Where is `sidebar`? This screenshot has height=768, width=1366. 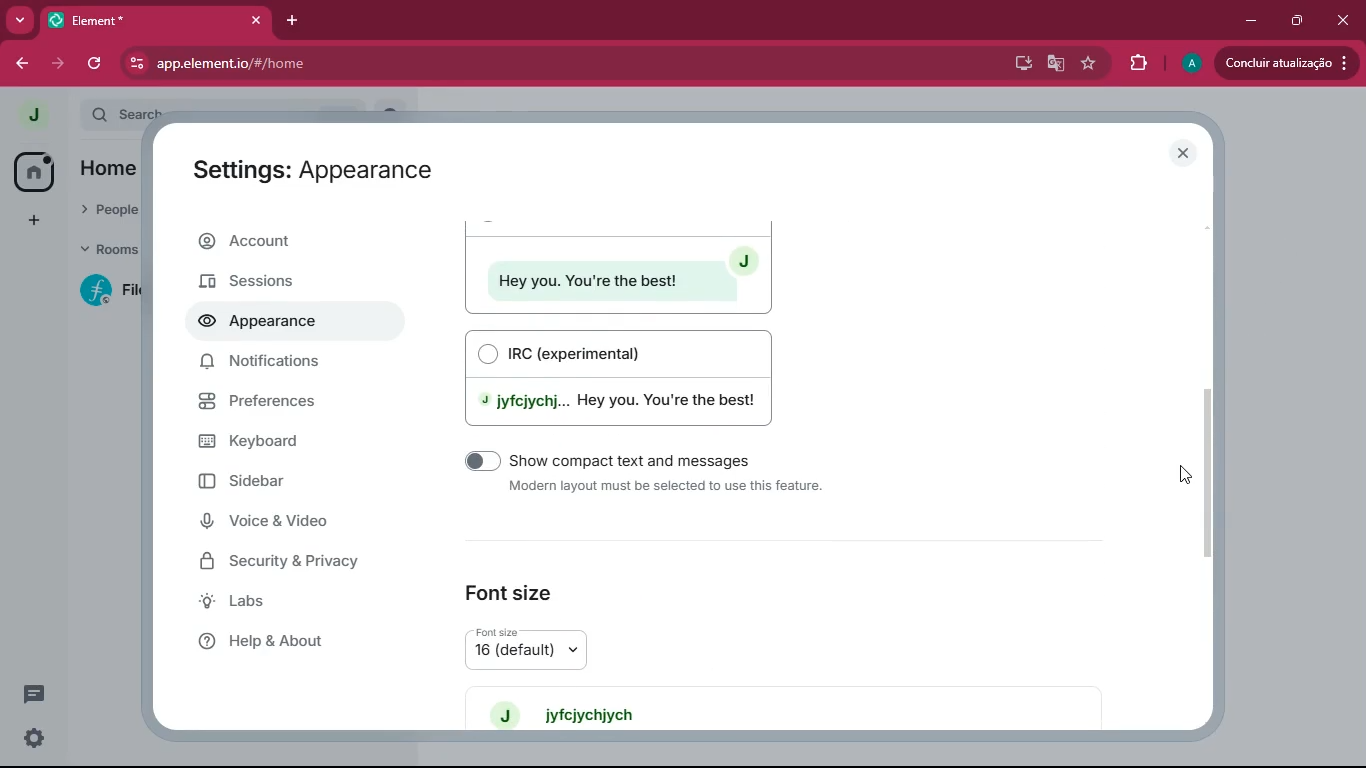 sidebar is located at coordinates (277, 482).